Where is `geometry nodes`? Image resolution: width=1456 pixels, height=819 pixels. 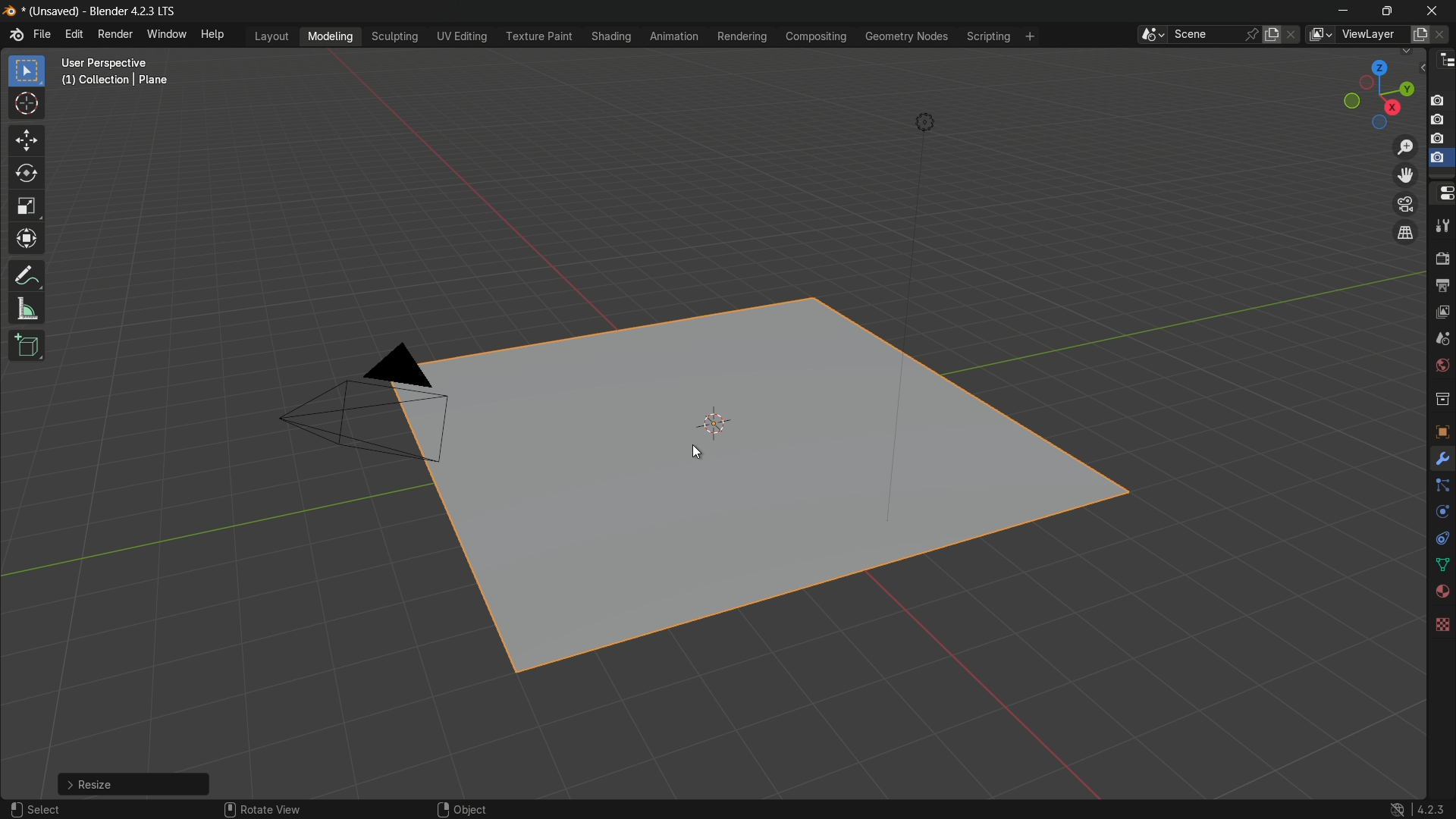
geometry nodes is located at coordinates (906, 37).